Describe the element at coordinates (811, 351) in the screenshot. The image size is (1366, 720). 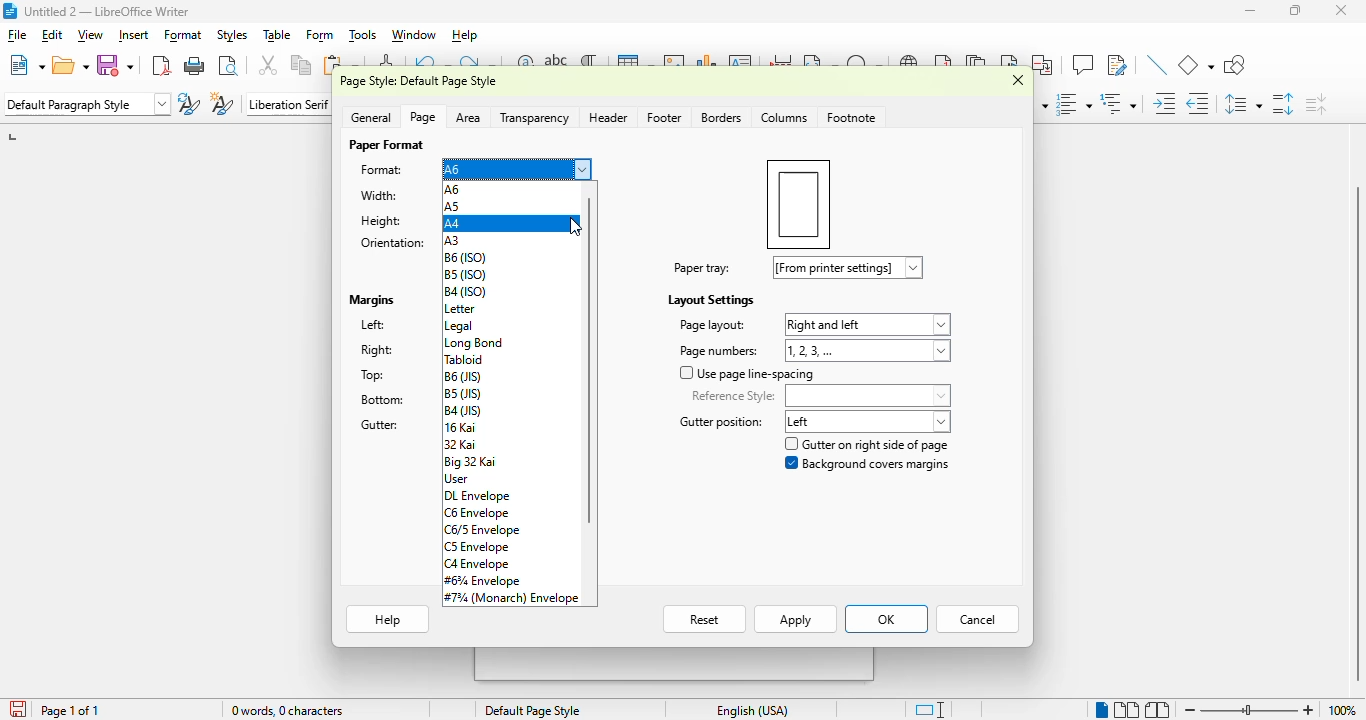
I see `page numbers: 1,2,3,...` at that location.